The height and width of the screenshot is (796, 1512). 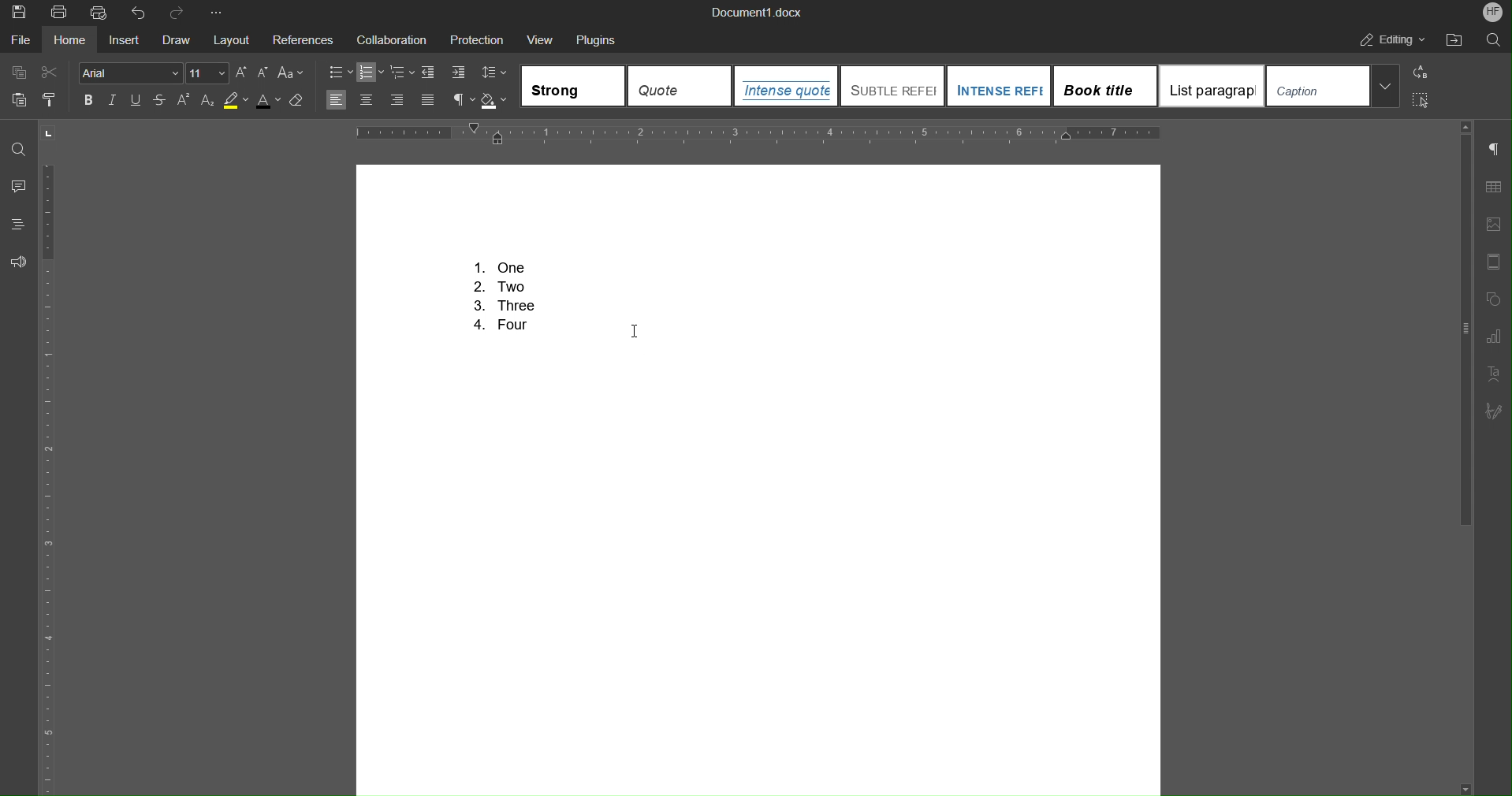 What do you see at coordinates (1492, 299) in the screenshot?
I see `Shape Settings` at bounding box center [1492, 299].